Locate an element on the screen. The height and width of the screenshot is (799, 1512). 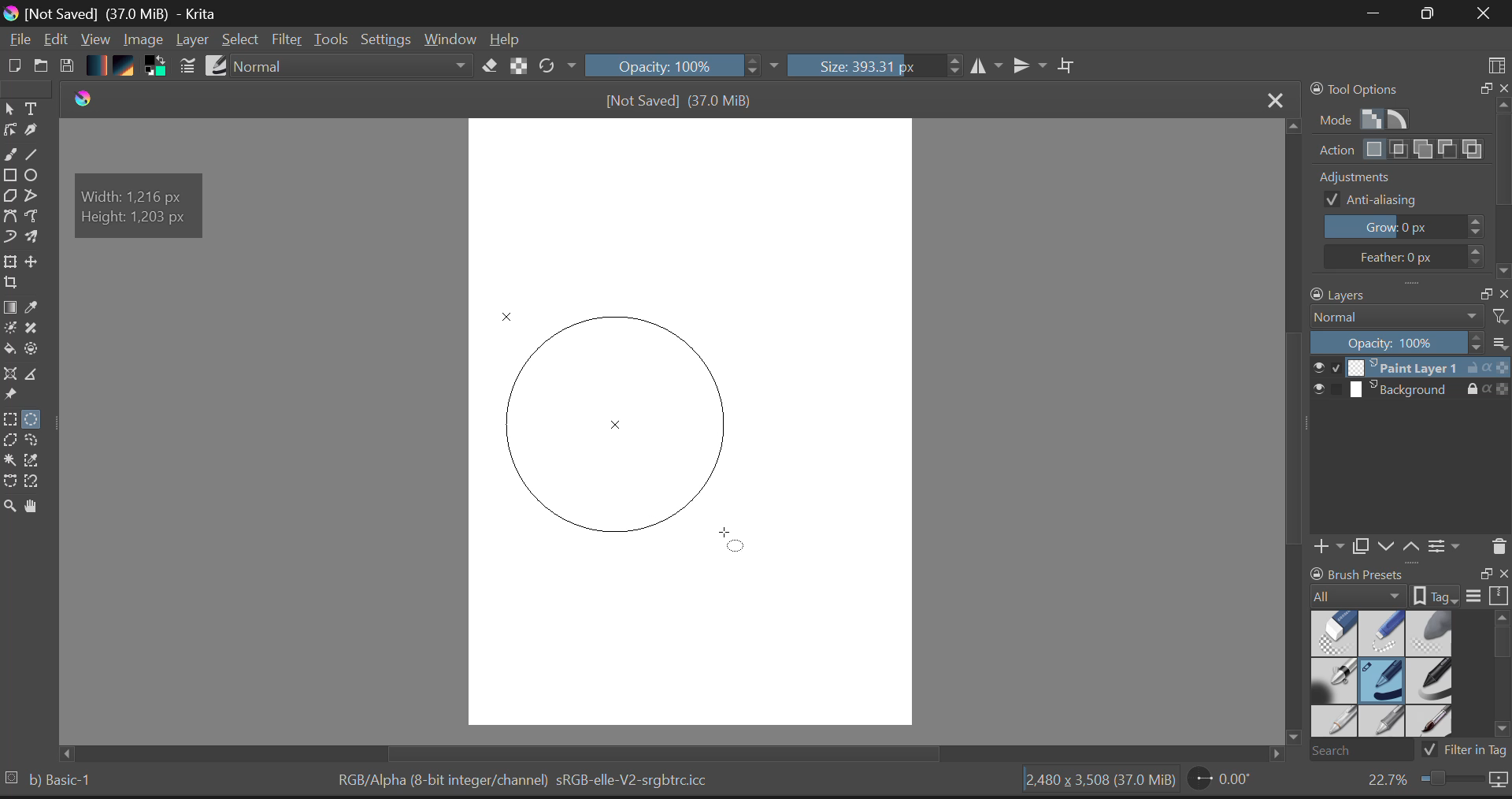
Text is located at coordinates (32, 109).